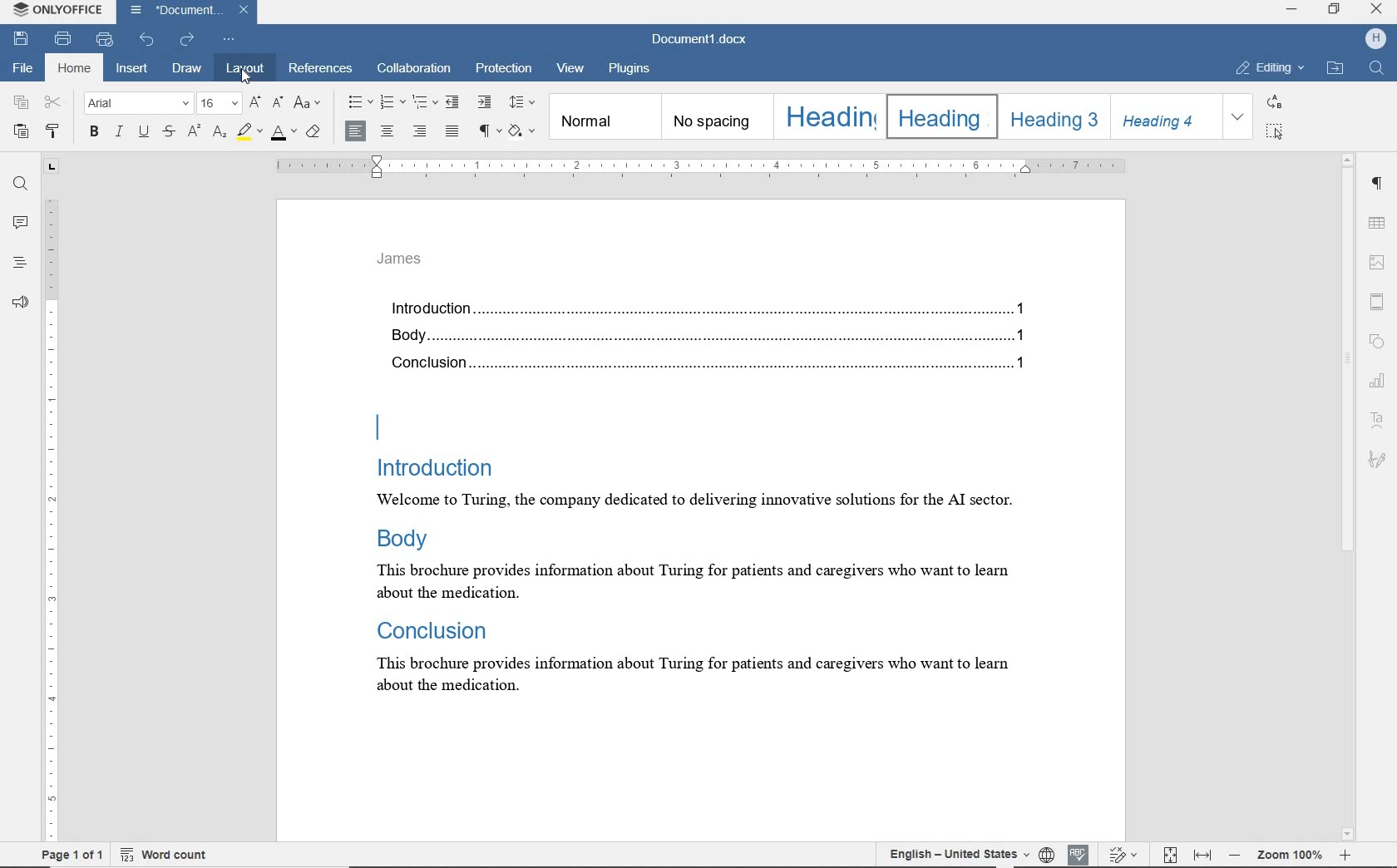 The height and width of the screenshot is (868, 1397). What do you see at coordinates (1377, 340) in the screenshot?
I see `shape` at bounding box center [1377, 340].